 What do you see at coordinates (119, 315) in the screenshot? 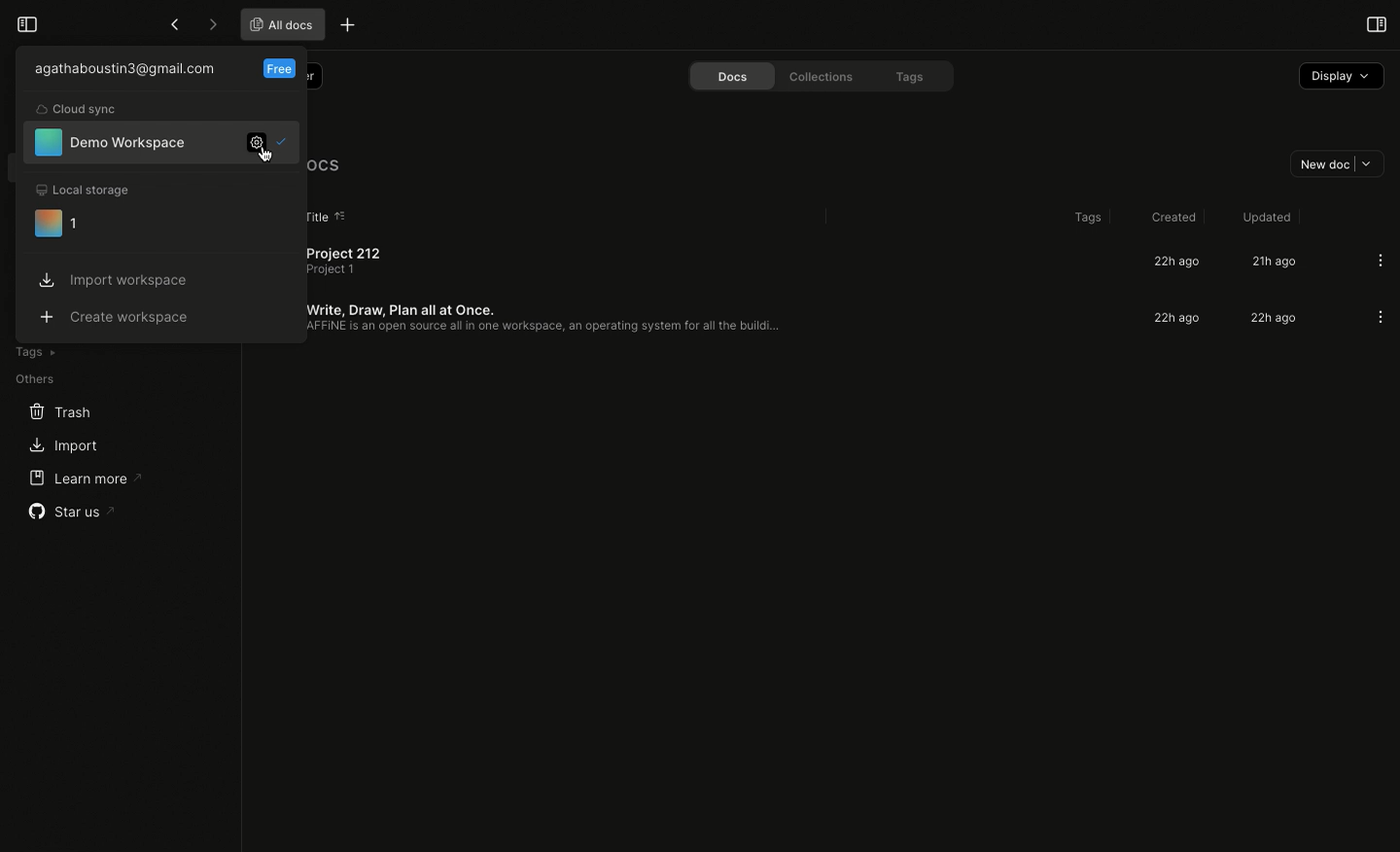
I see `Create workspace` at bounding box center [119, 315].